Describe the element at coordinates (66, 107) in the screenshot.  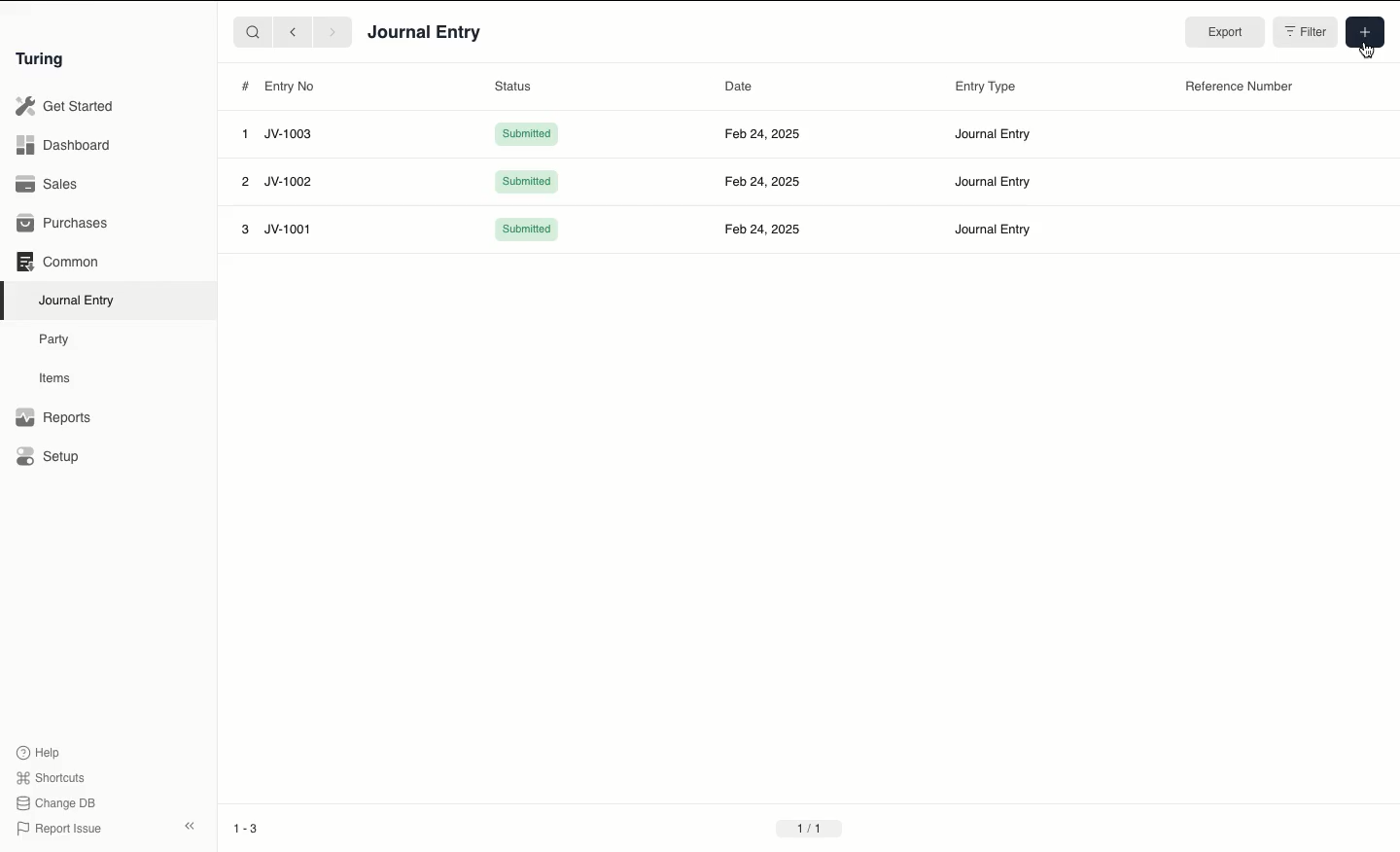
I see `Get Started` at that location.